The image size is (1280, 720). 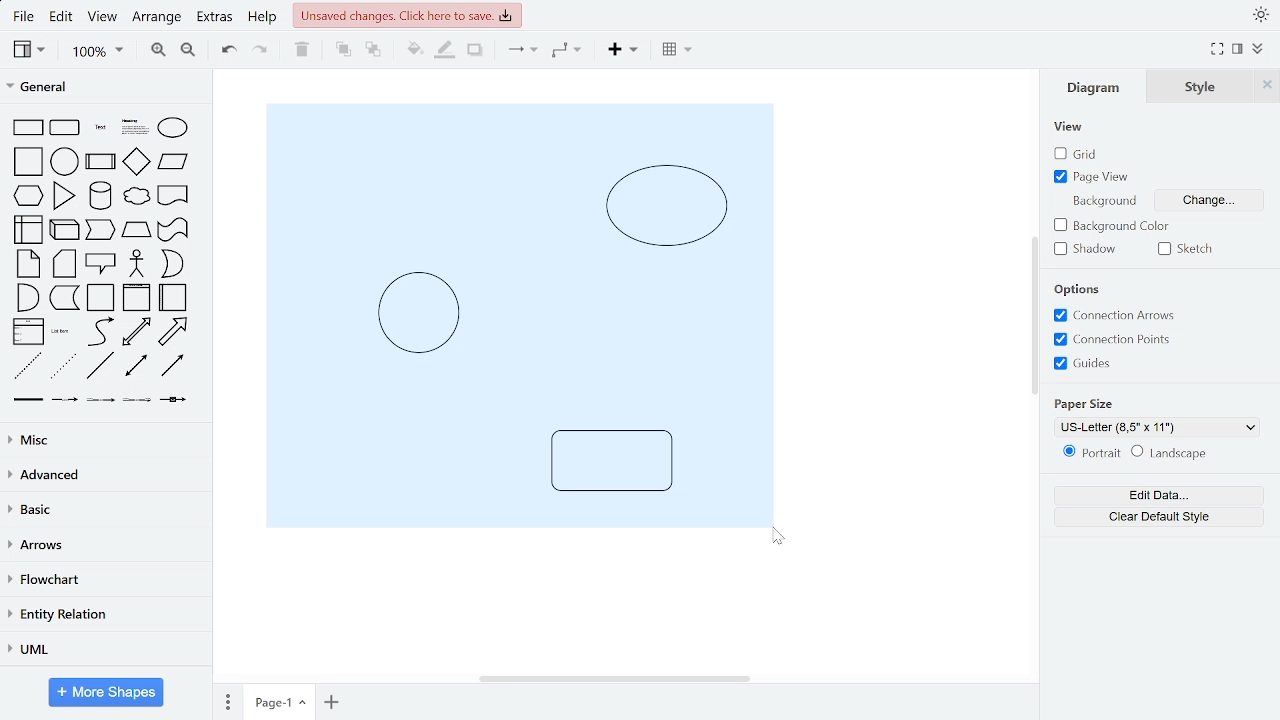 I want to click on bidirectional connector, so click(x=138, y=368).